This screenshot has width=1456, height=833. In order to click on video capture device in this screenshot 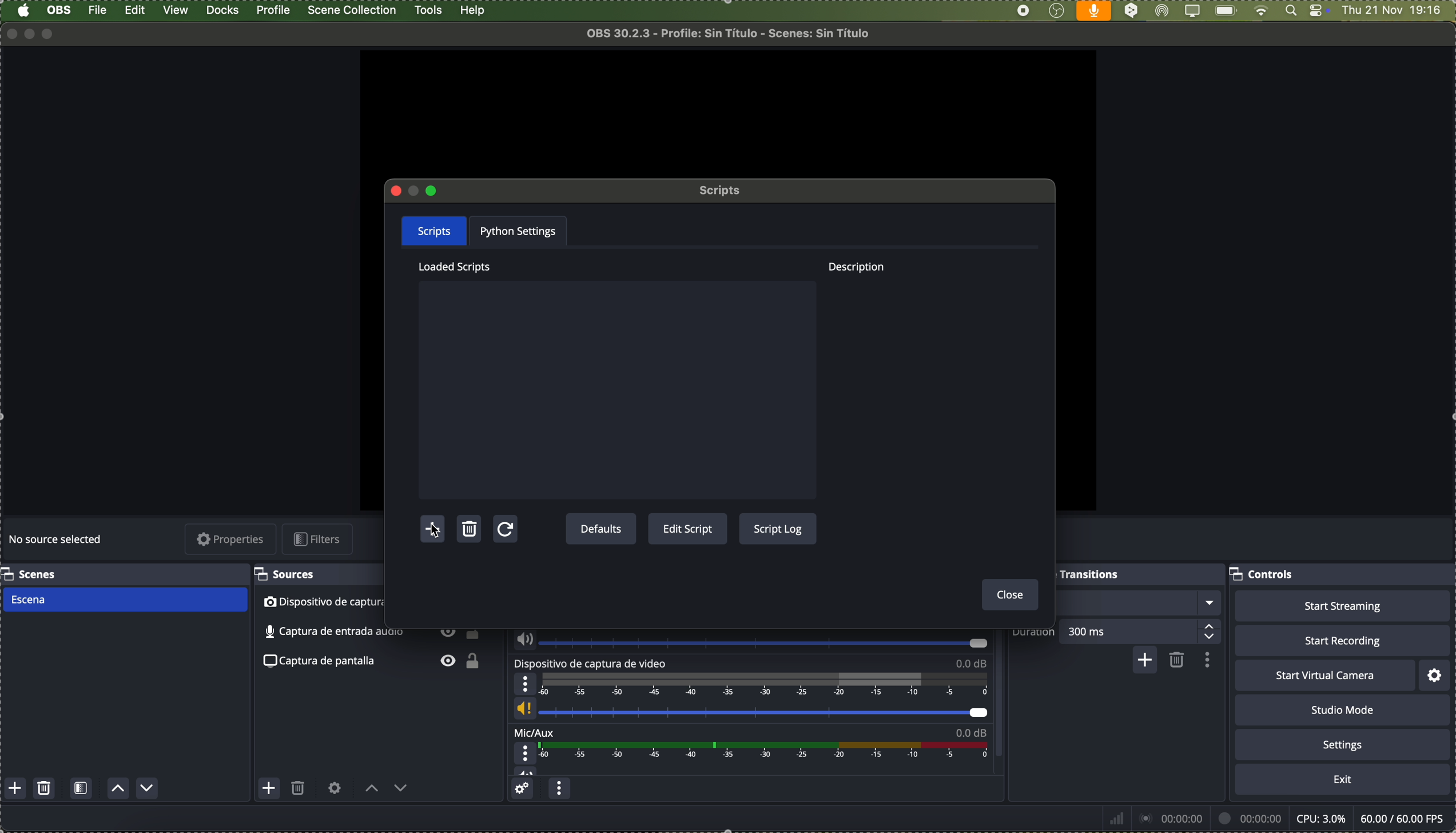, I will do `click(751, 691)`.